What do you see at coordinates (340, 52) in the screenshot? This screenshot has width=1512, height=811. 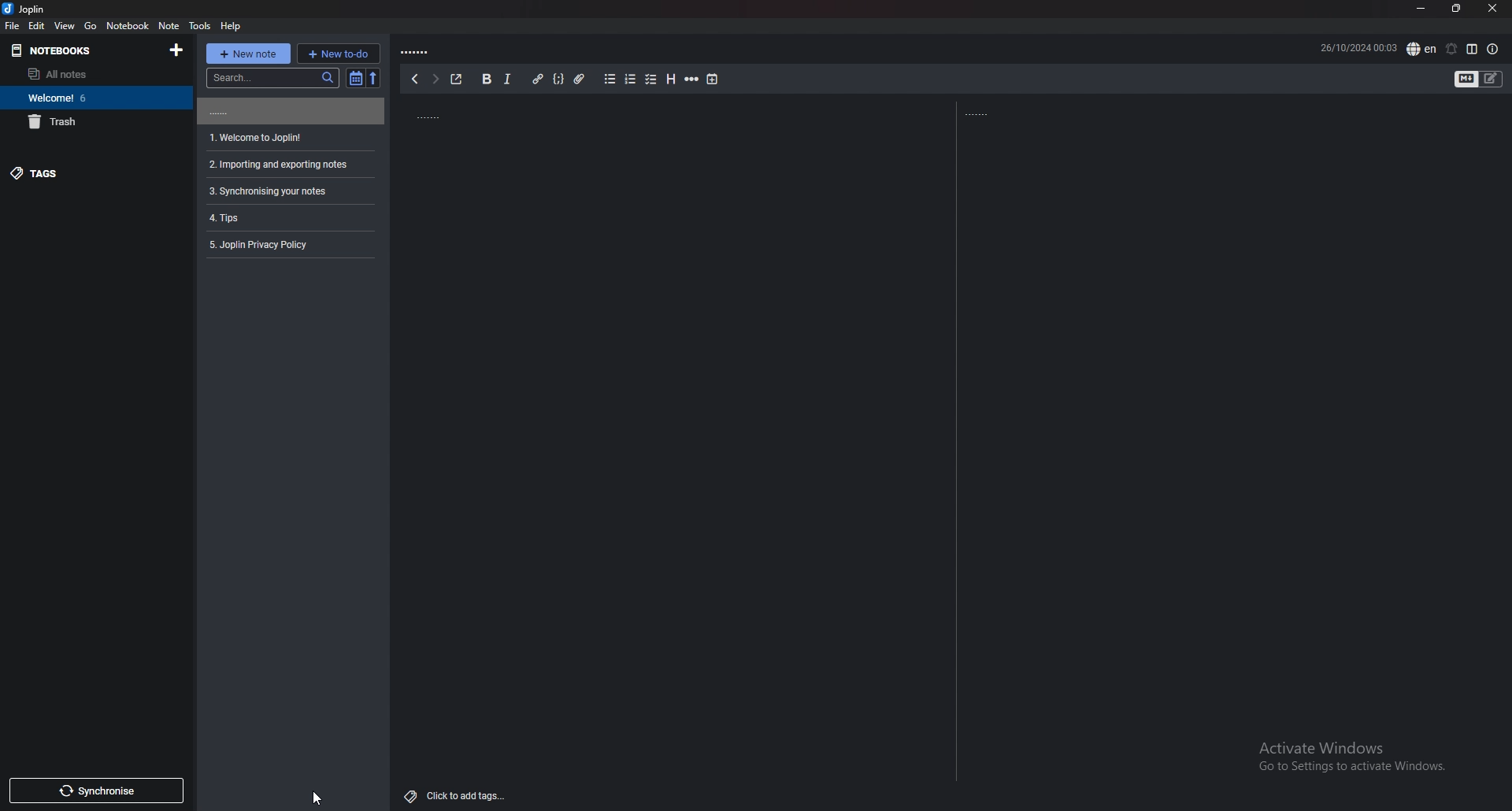 I see `new todo` at bounding box center [340, 52].